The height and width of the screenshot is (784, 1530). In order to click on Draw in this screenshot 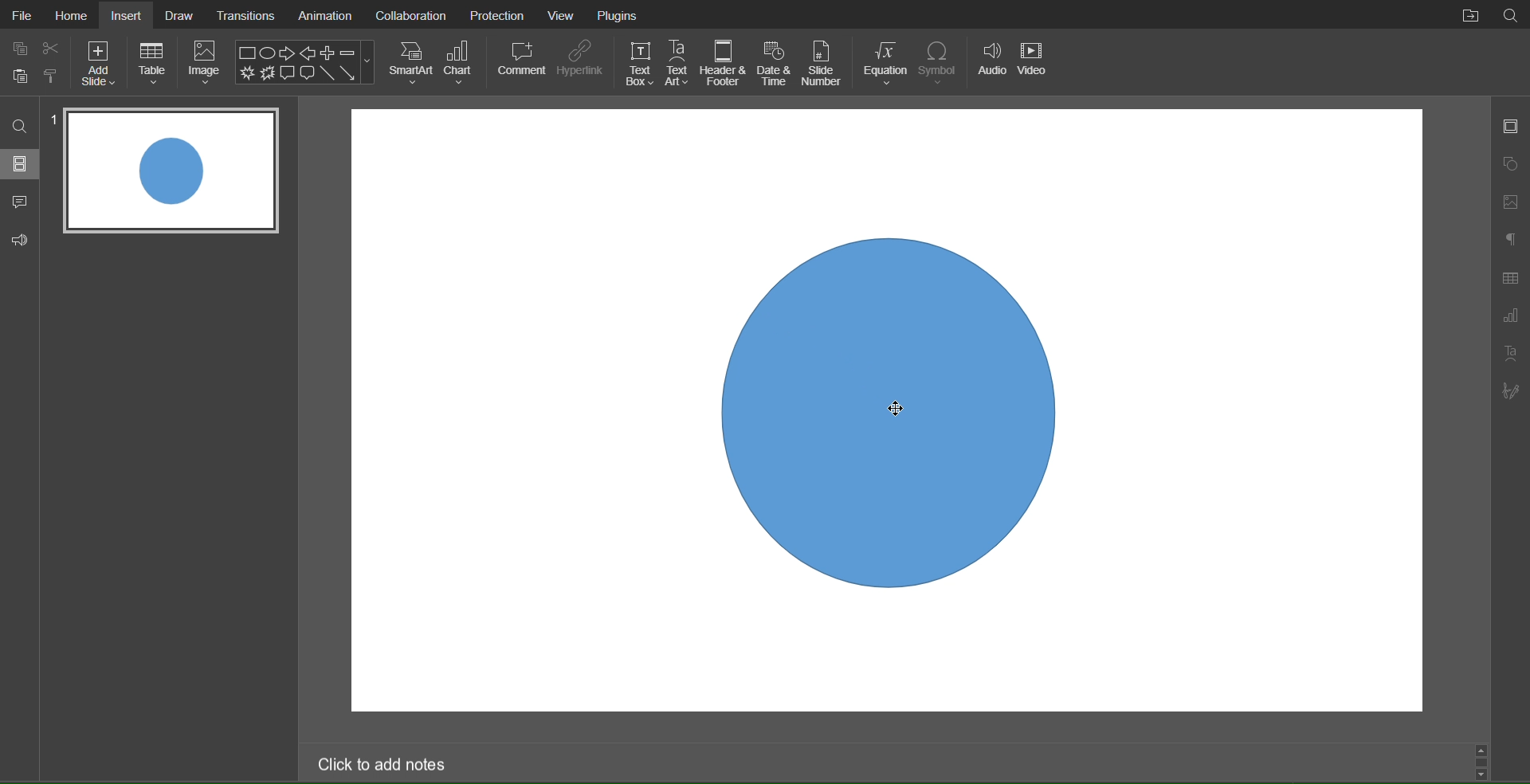, I will do `click(181, 14)`.